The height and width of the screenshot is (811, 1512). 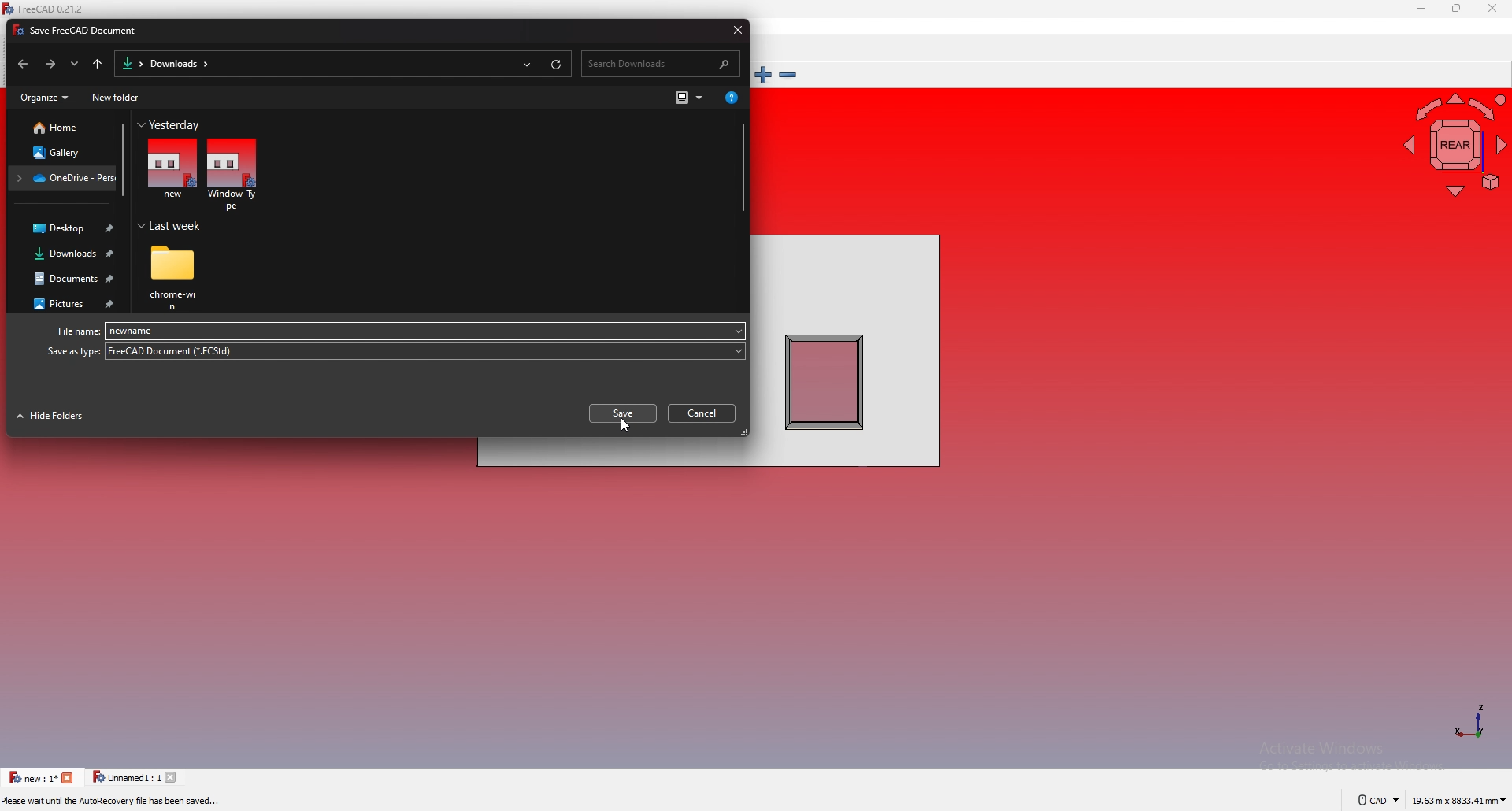 What do you see at coordinates (525, 65) in the screenshot?
I see `recent` at bounding box center [525, 65].